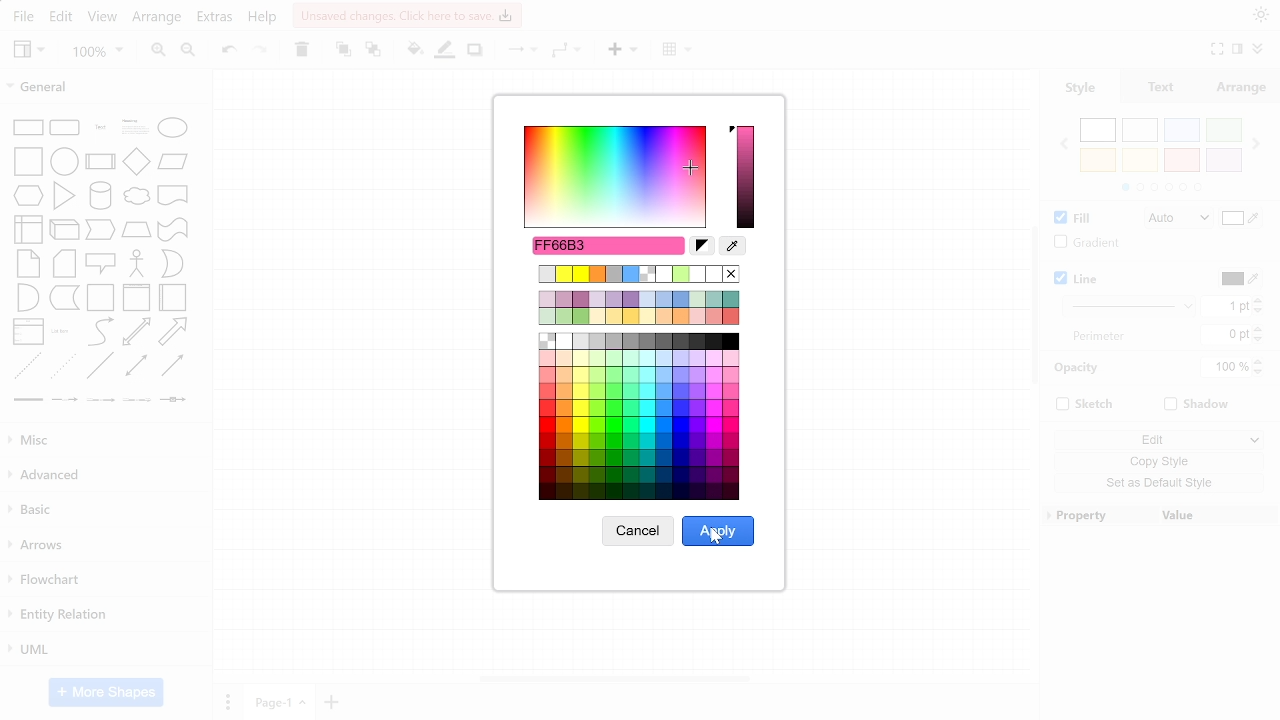 Image resolution: width=1280 pixels, height=720 pixels. I want to click on Other colors, so click(640, 307).